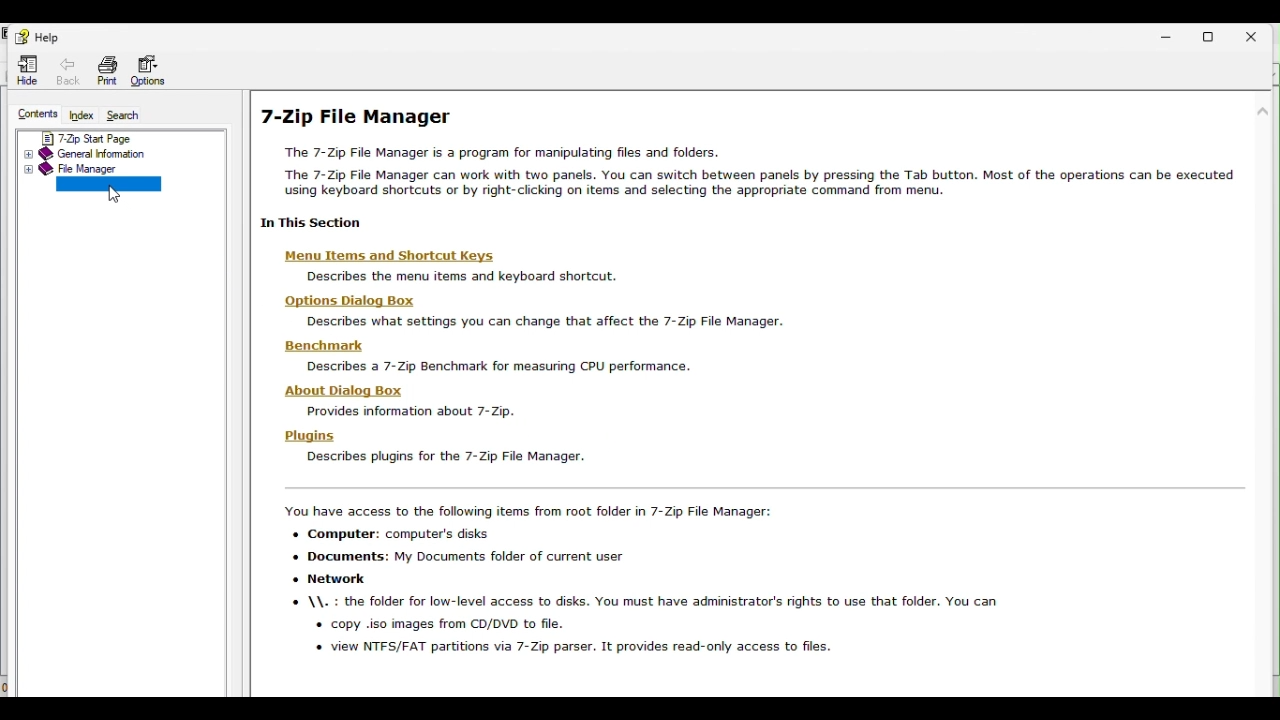  Describe the element at coordinates (455, 279) in the screenshot. I see `descriibe the menu items and keyboard shortcuts` at that location.